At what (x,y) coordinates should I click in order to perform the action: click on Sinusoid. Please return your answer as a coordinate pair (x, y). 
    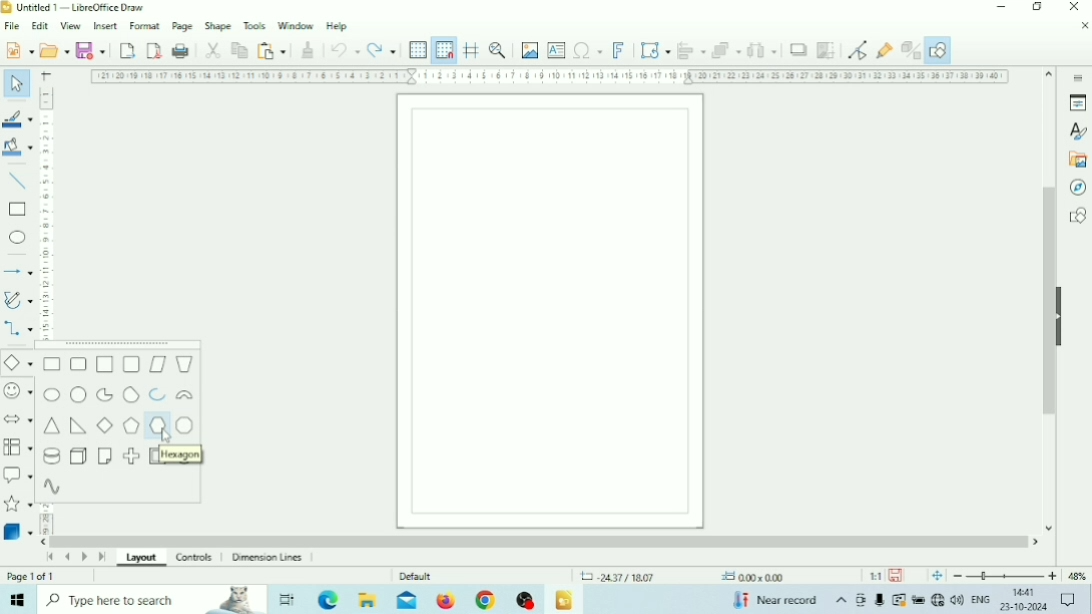
    Looking at the image, I should click on (53, 486).